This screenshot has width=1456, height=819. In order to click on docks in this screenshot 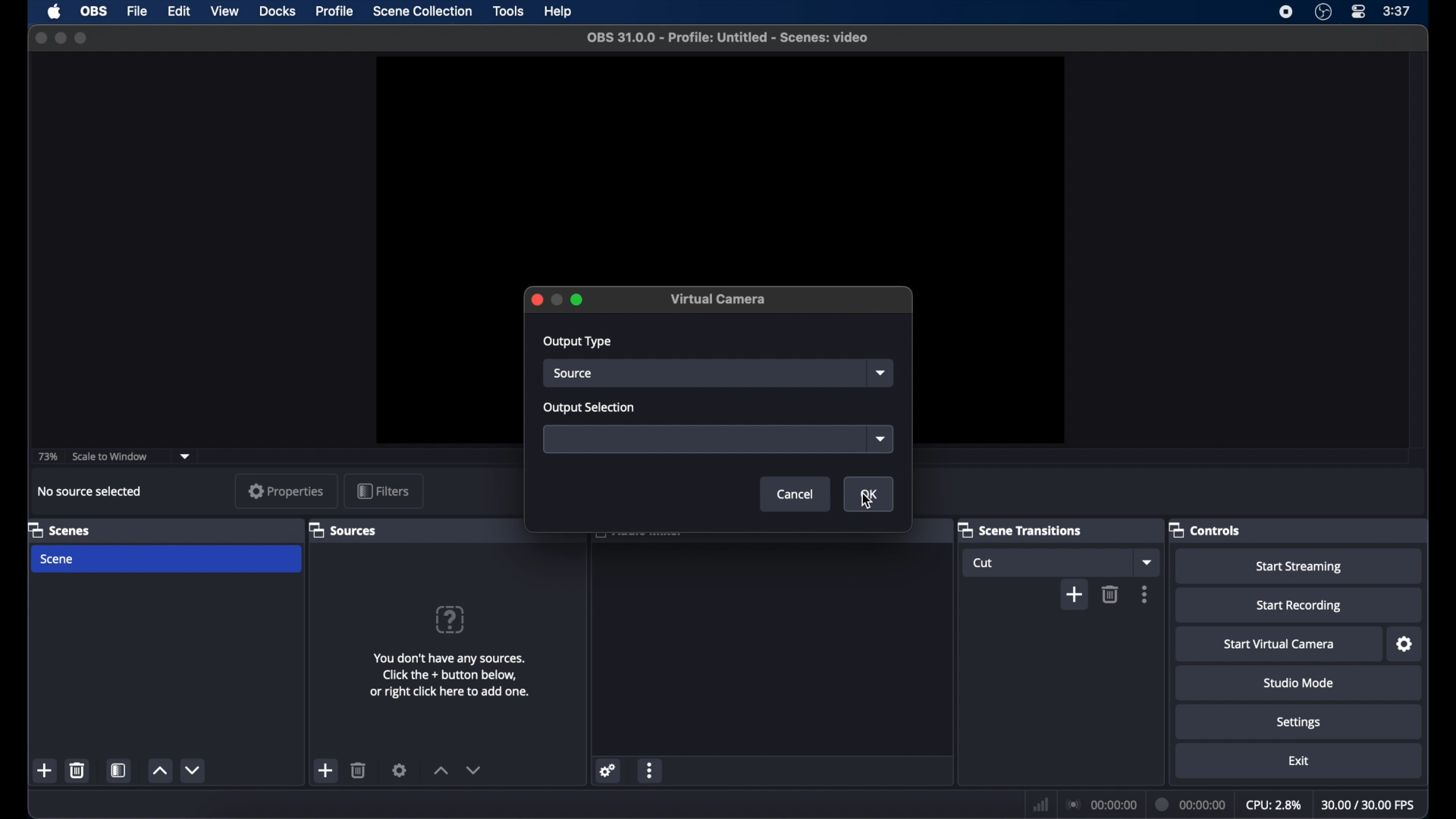, I will do `click(278, 11)`.